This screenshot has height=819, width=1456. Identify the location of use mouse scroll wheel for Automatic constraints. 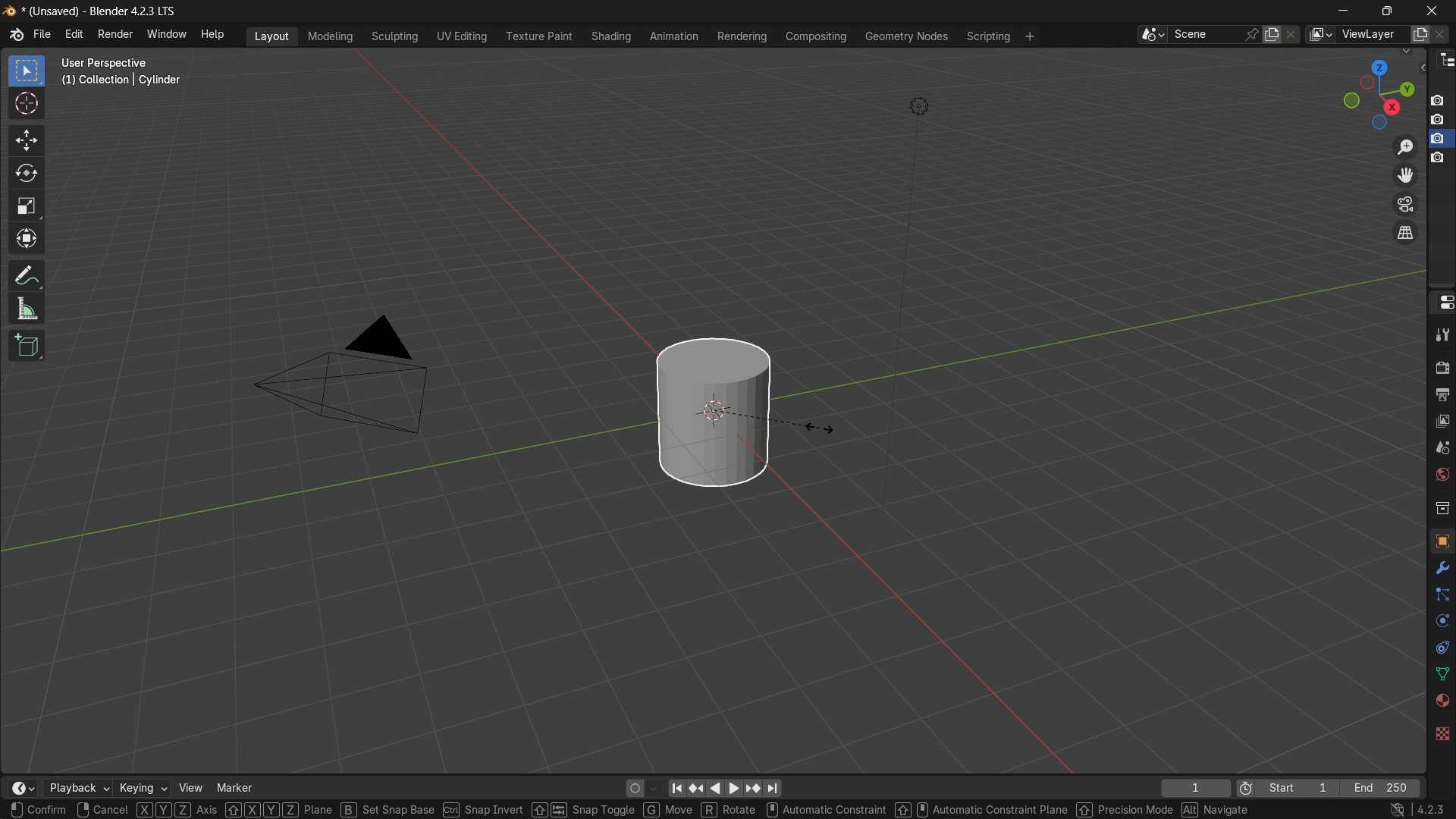
(826, 810).